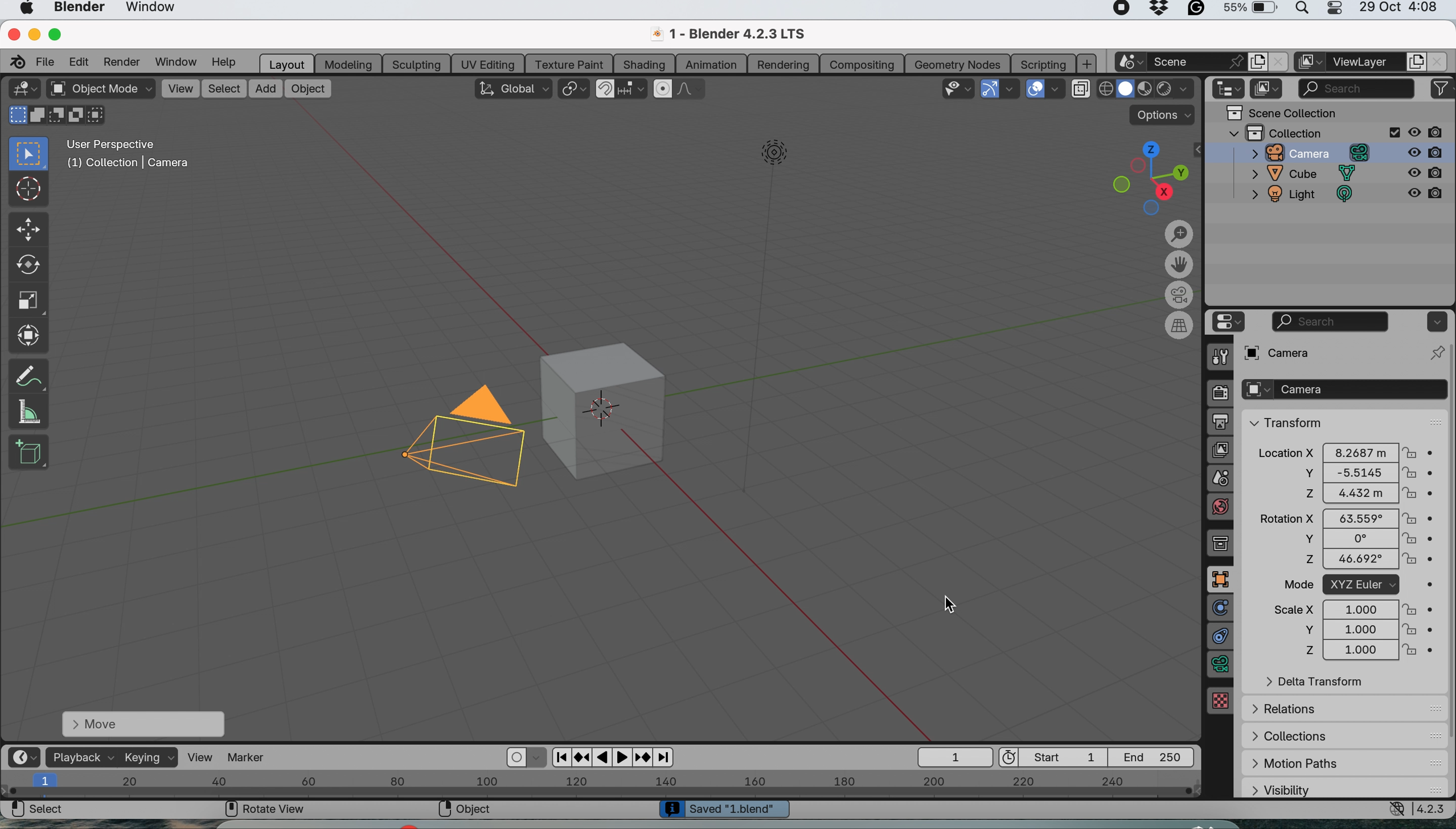  I want to click on z 46.692, so click(1345, 561).